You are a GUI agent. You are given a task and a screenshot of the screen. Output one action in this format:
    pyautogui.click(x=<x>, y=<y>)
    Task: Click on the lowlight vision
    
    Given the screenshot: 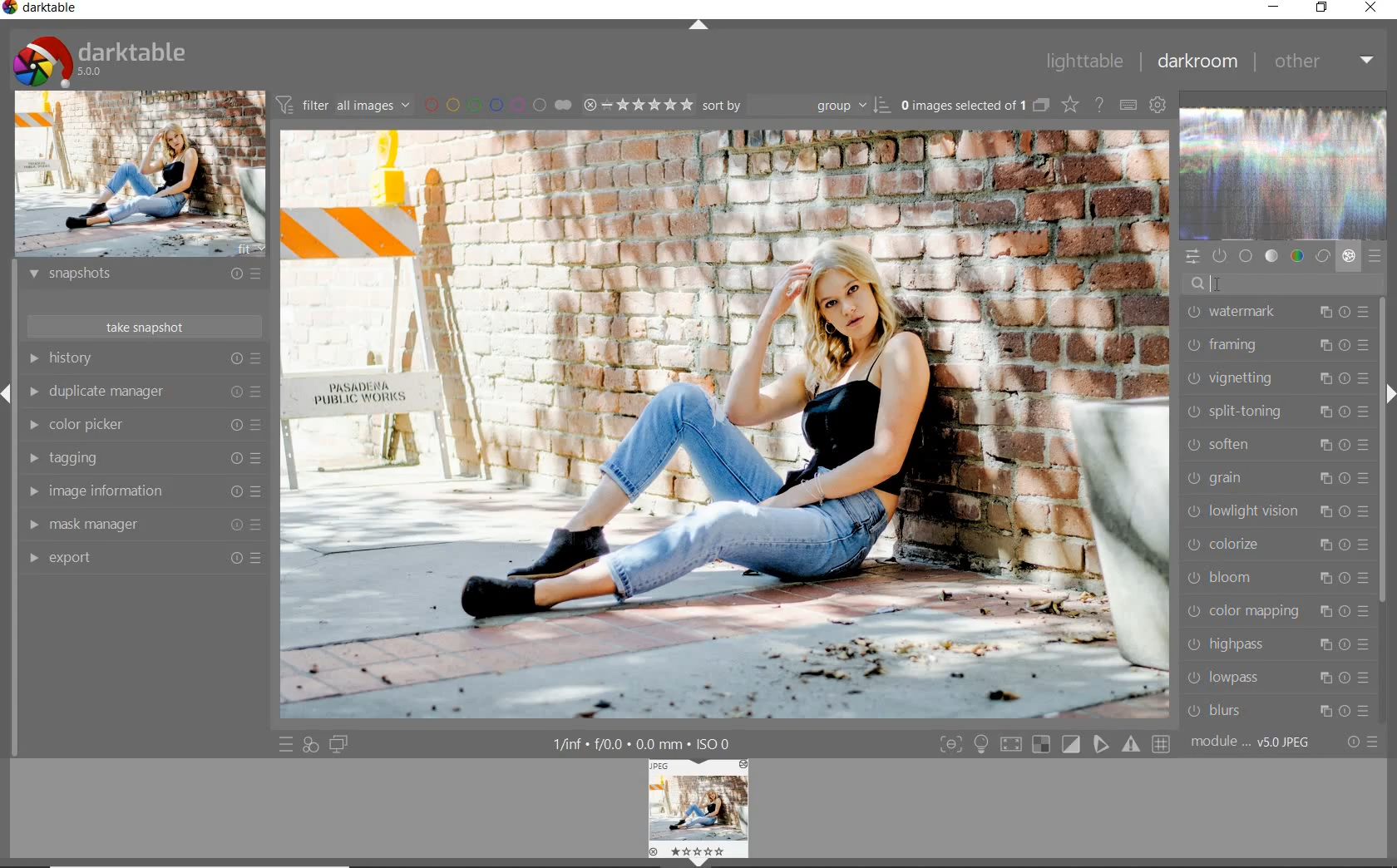 What is the action you would take?
    pyautogui.click(x=1274, y=511)
    